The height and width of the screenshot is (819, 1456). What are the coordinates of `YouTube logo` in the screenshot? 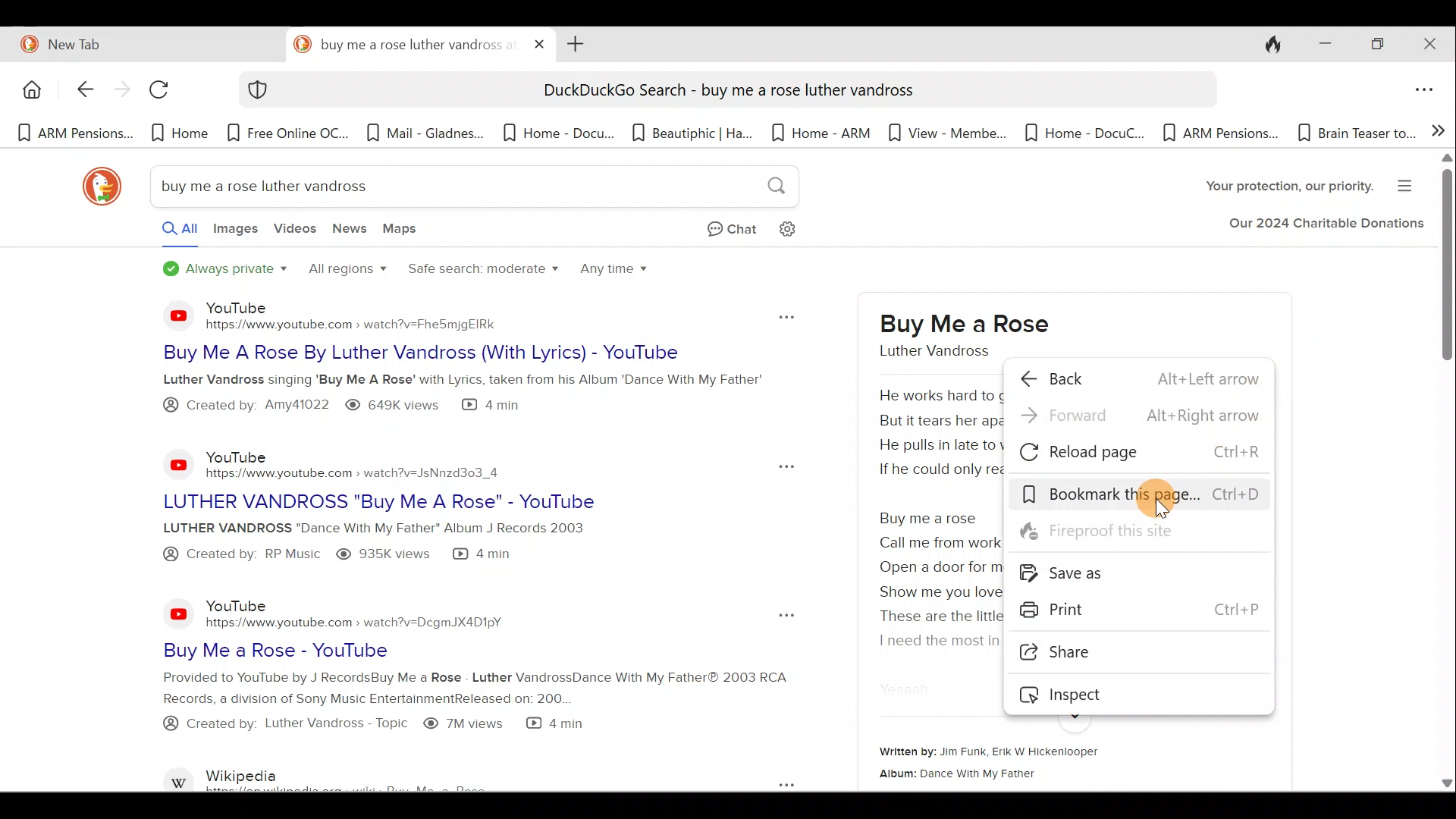 It's located at (179, 613).